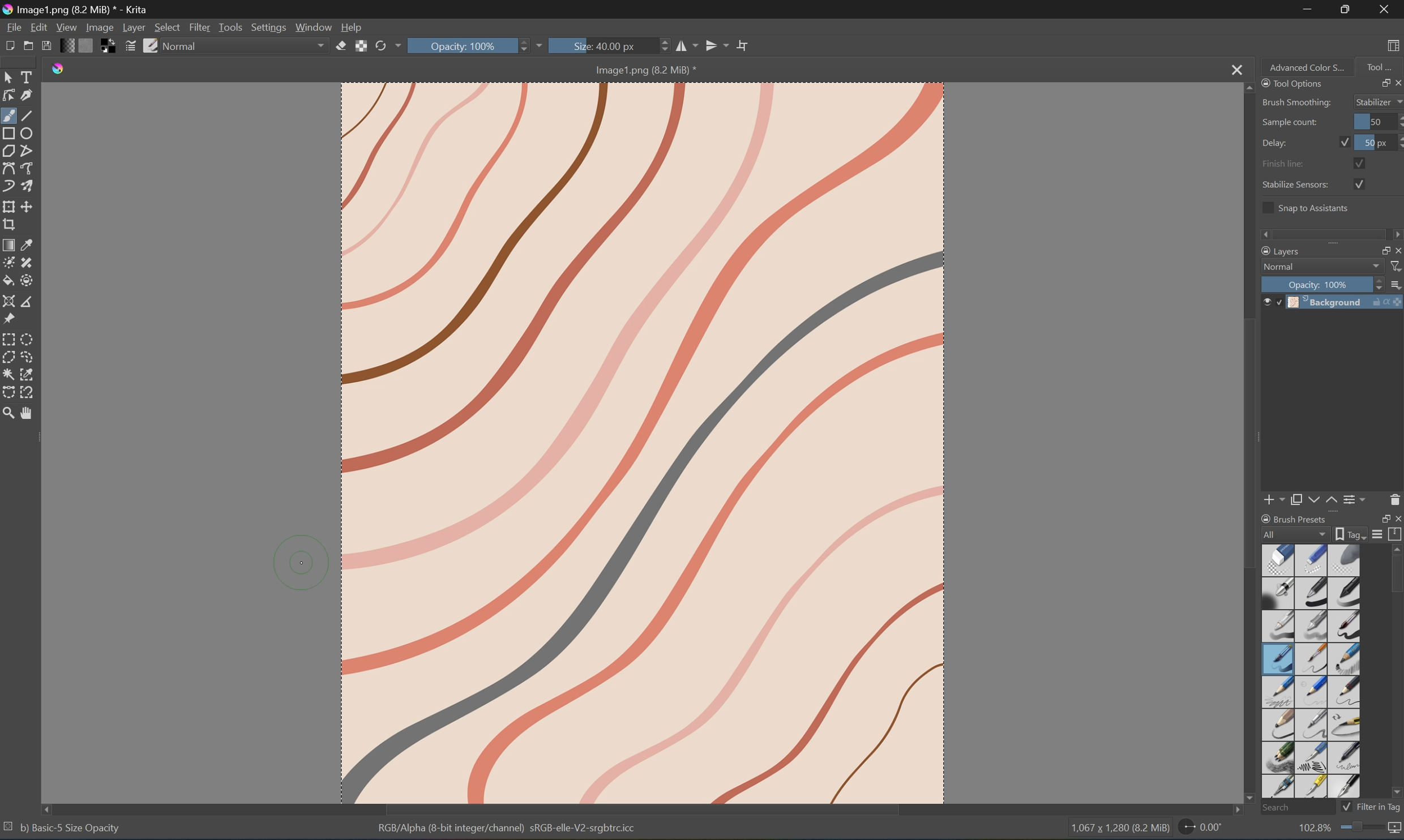 The width and height of the screenshot is (1404, 840). Describe the element at coordinates (1252, 444) in the screenshot. I see `Scroll Bar` at that location.